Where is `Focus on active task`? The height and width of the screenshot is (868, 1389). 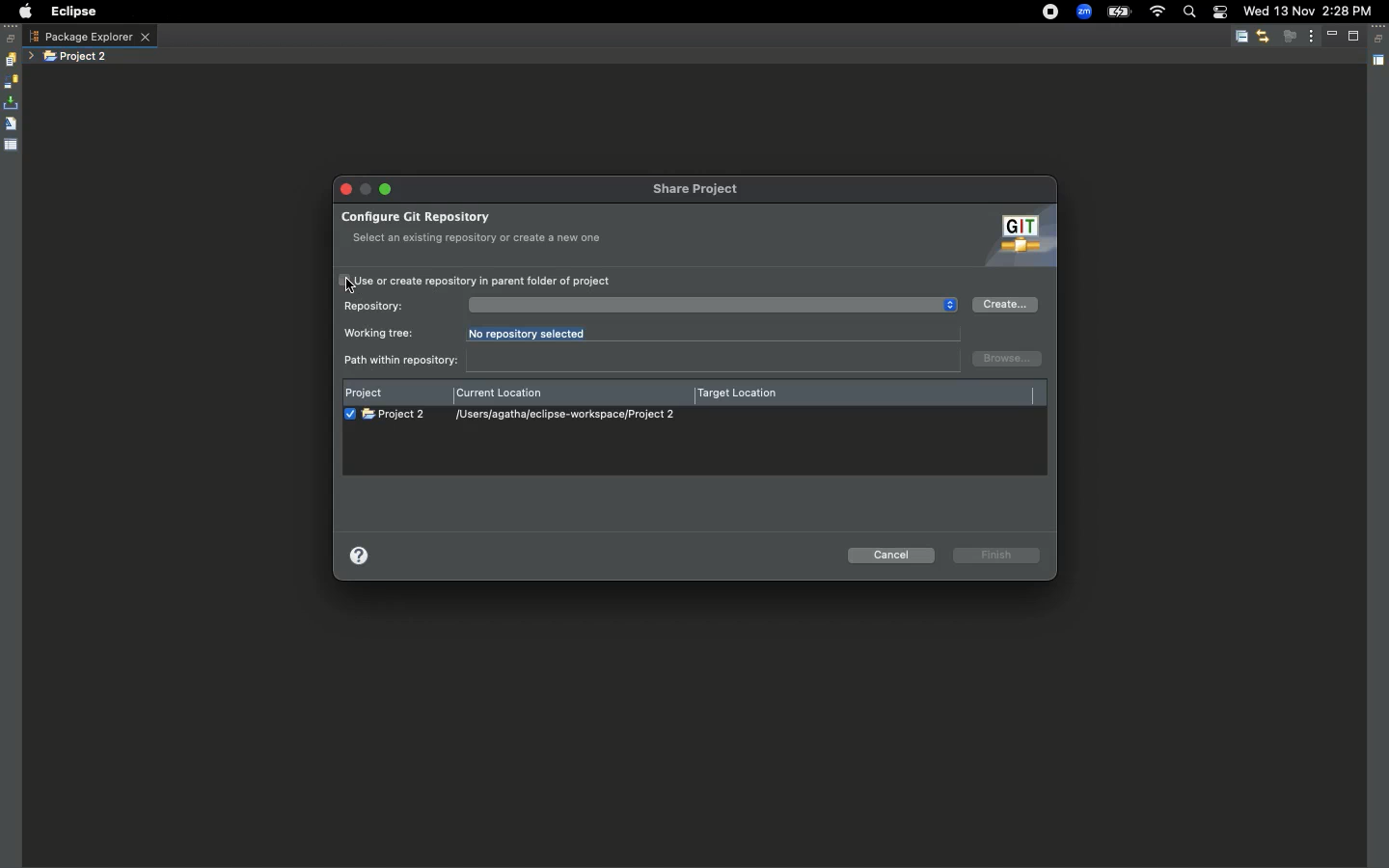
Focus on active task is located at coordinates (1290, 36).